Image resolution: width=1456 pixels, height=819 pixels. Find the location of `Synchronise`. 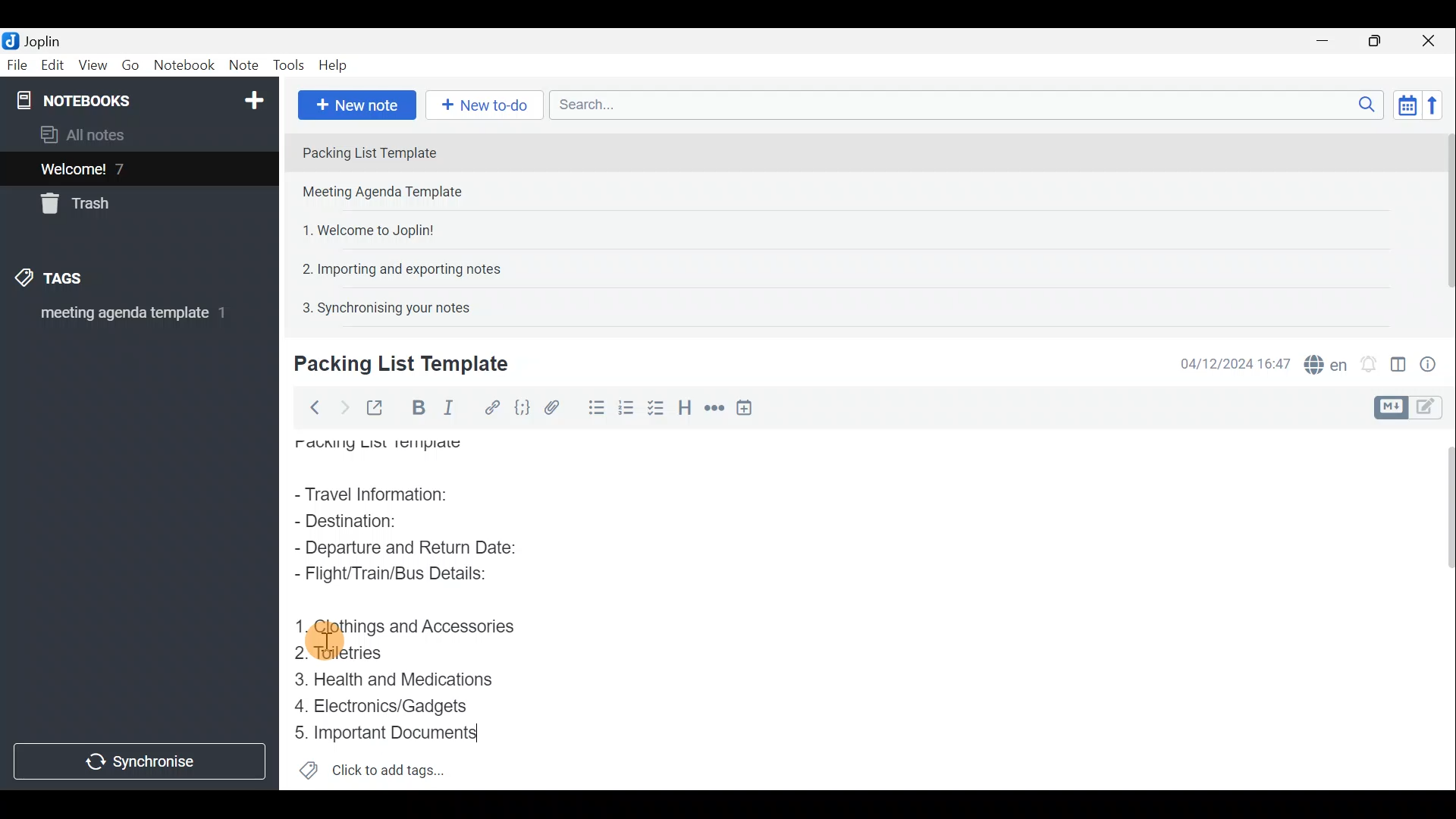

Synchronise is located at coordinates (142, 764).